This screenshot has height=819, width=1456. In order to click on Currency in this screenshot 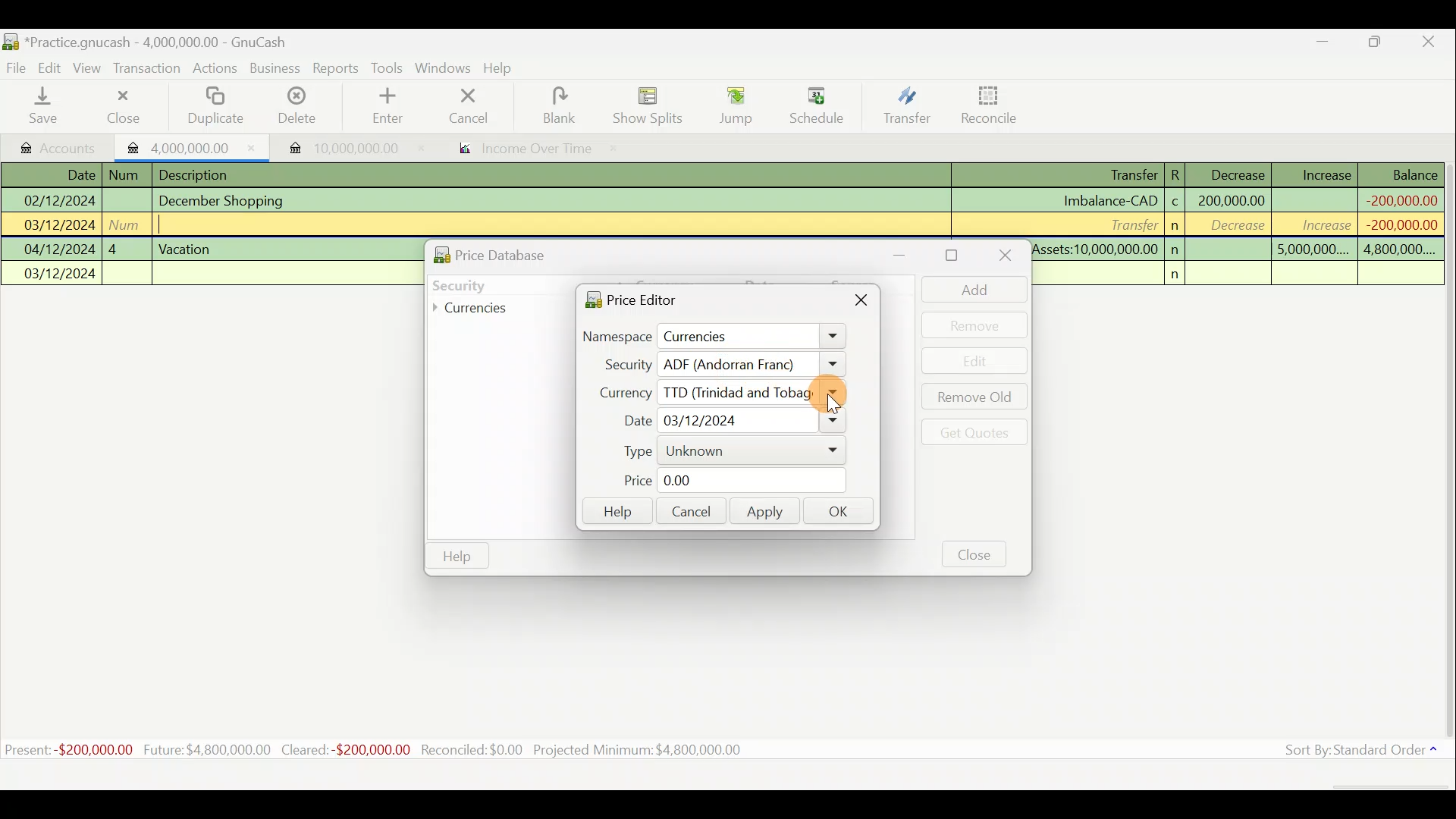, I will do `click(617, 391)`.